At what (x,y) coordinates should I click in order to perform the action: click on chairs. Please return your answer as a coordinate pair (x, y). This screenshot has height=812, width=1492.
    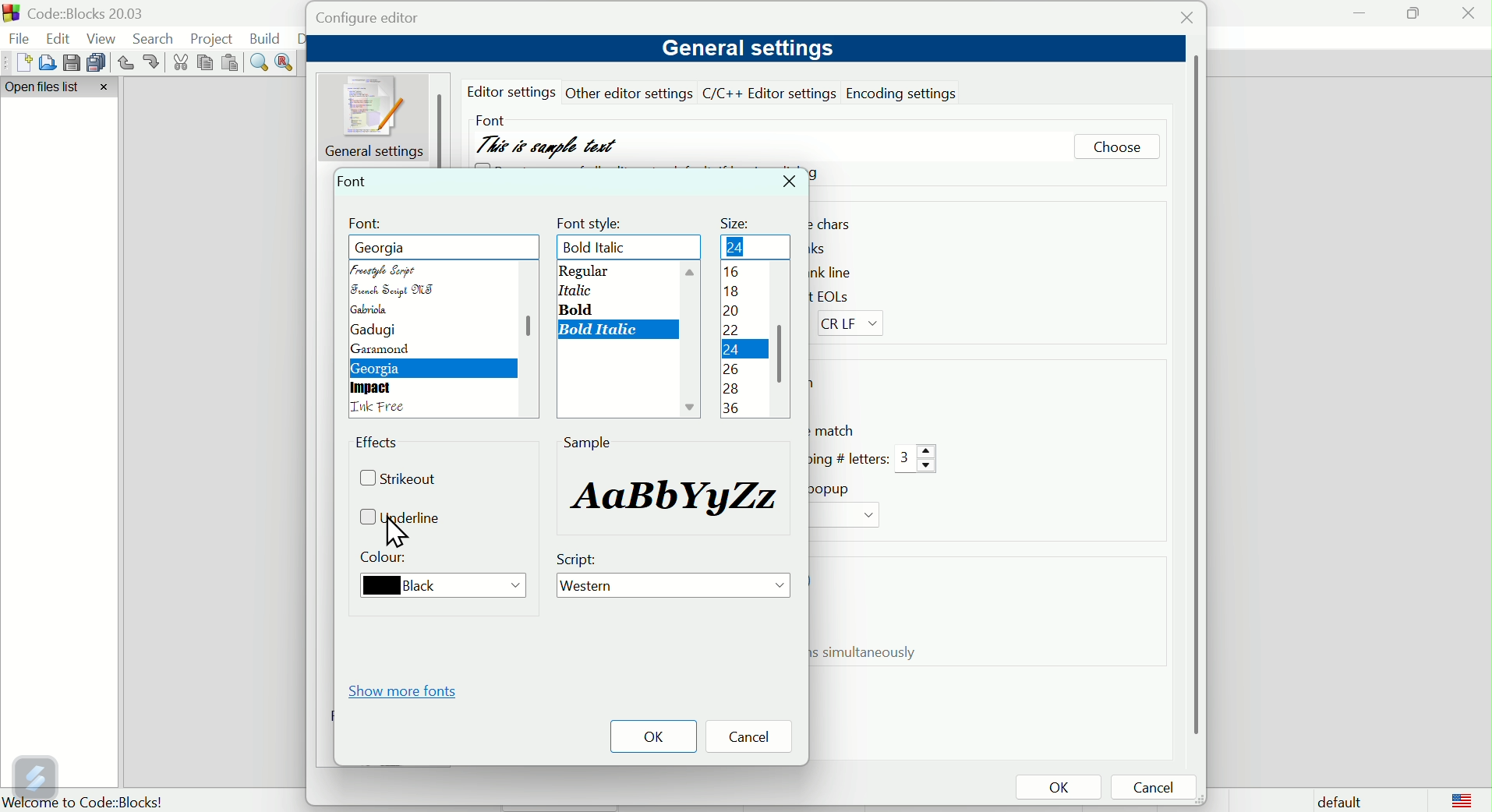
    Looking at the image, I should click on (840, 224).